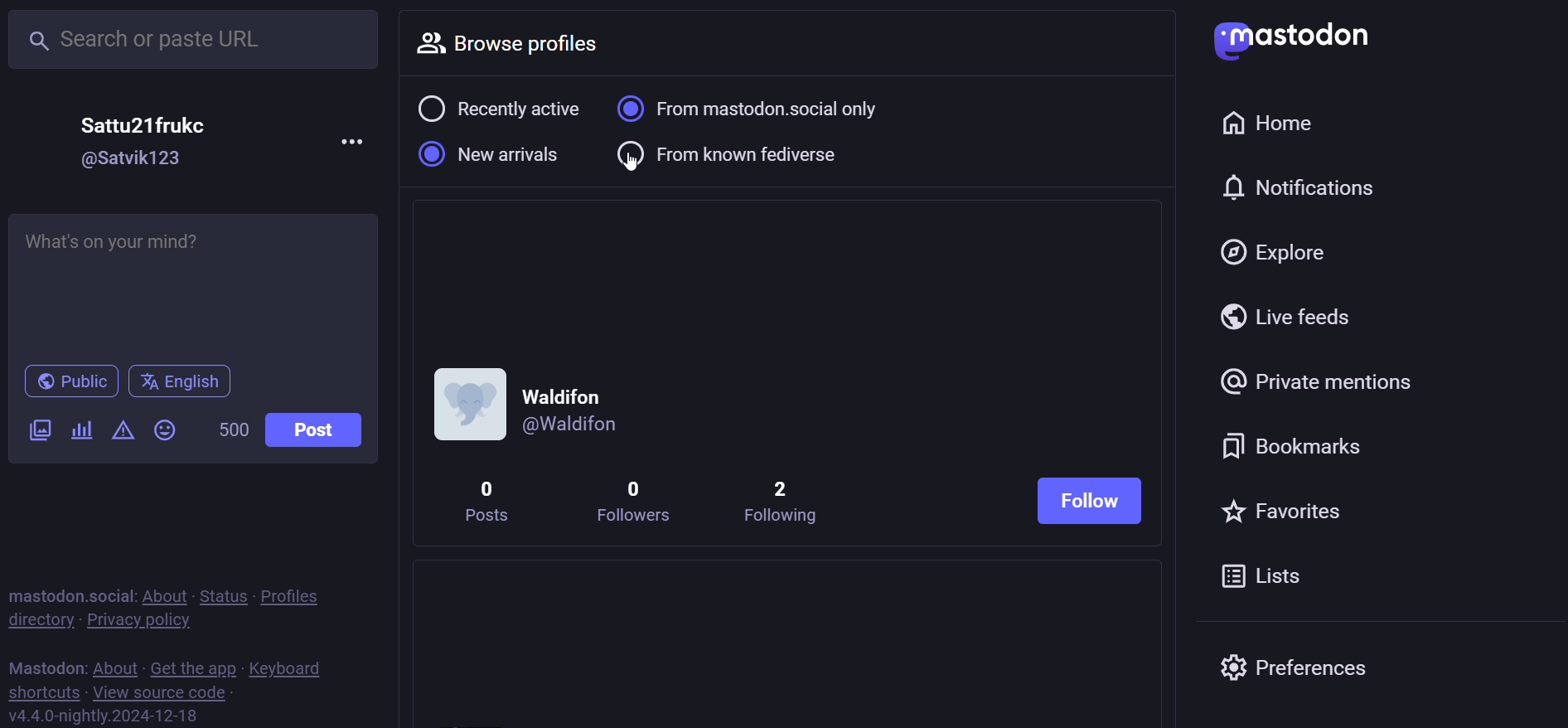 This screenshot has height=728, width=1568. I want to click on mastodon, so click(1293, 40).